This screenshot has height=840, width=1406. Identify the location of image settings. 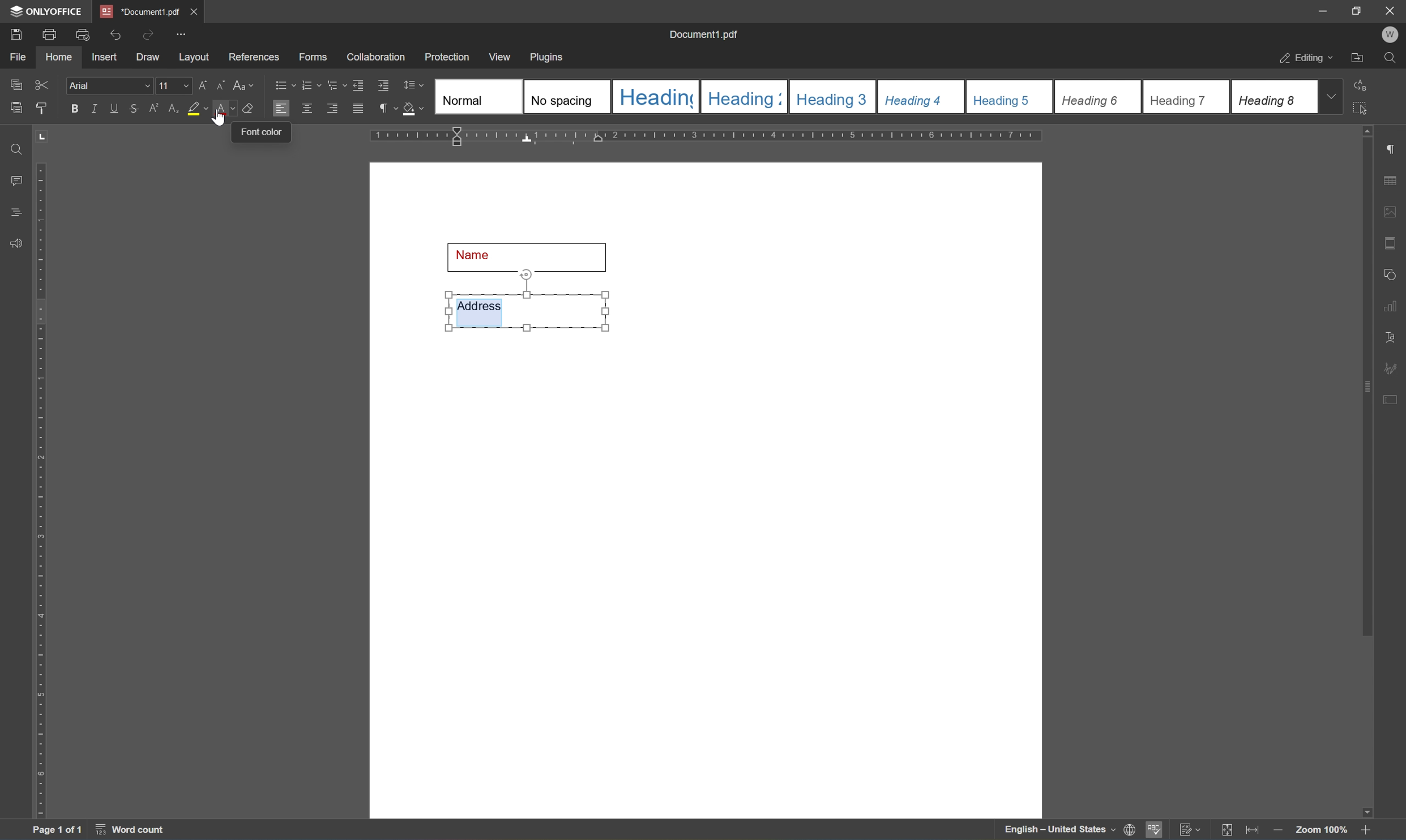
(1391, 211).